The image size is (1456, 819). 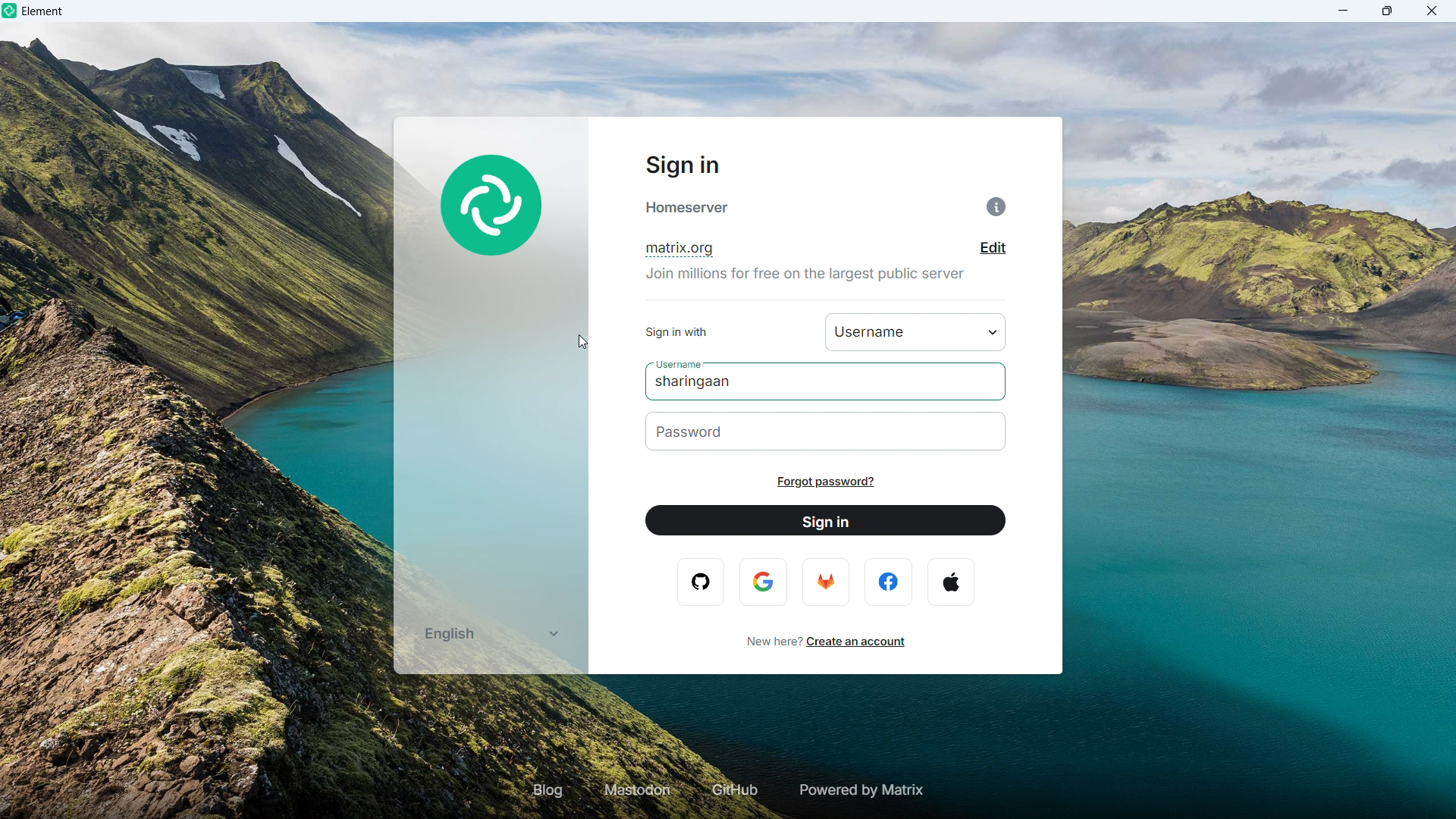 What do you see at coordinates (732, 791) in the screenshot?
I see `GIT hub ` at bounding box center [732, 791].